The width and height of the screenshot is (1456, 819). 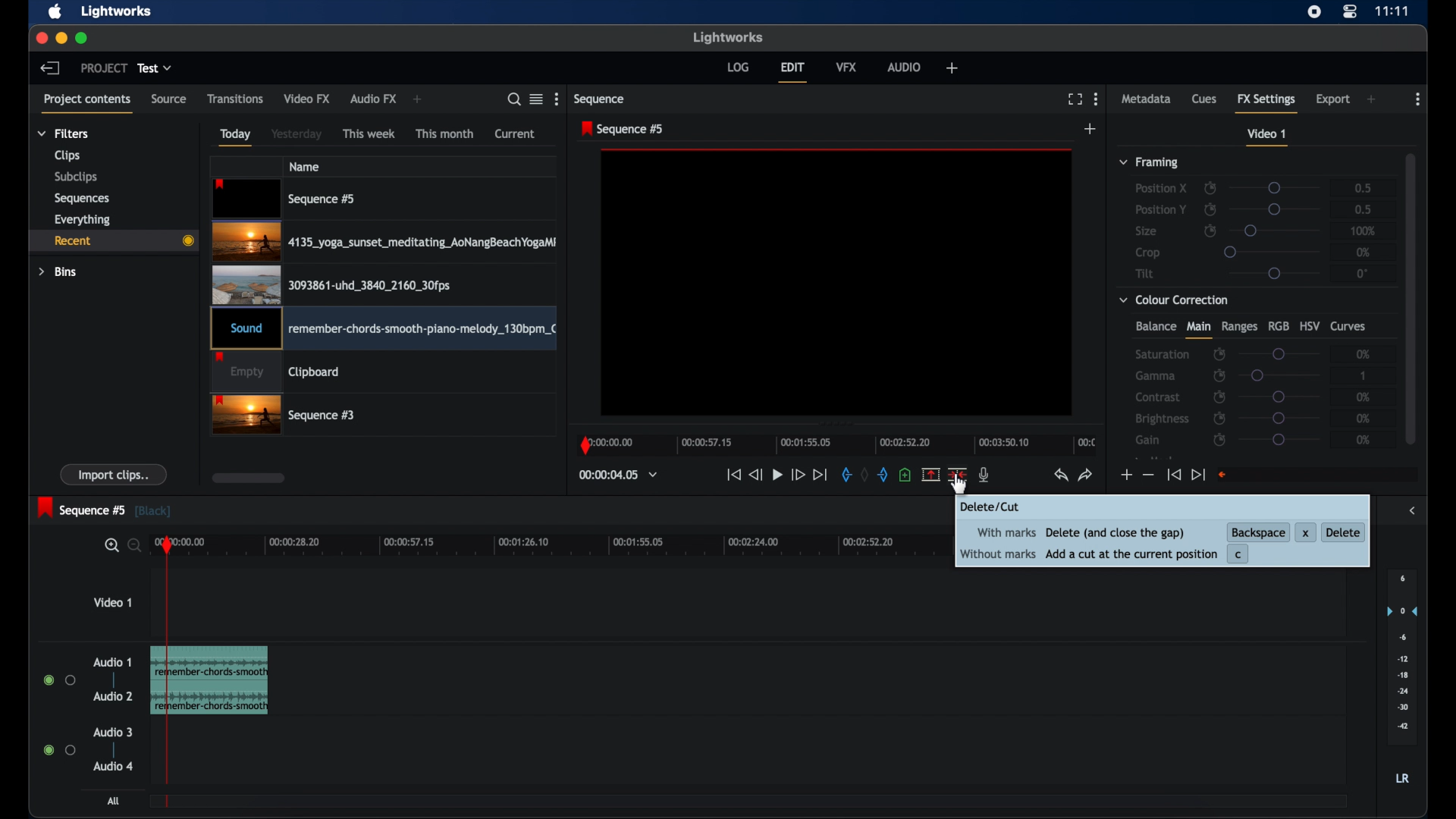 What do you see at coordinates (1061, 475) in the screenshot?
I see `undo` at bounding box center [1061, 475].